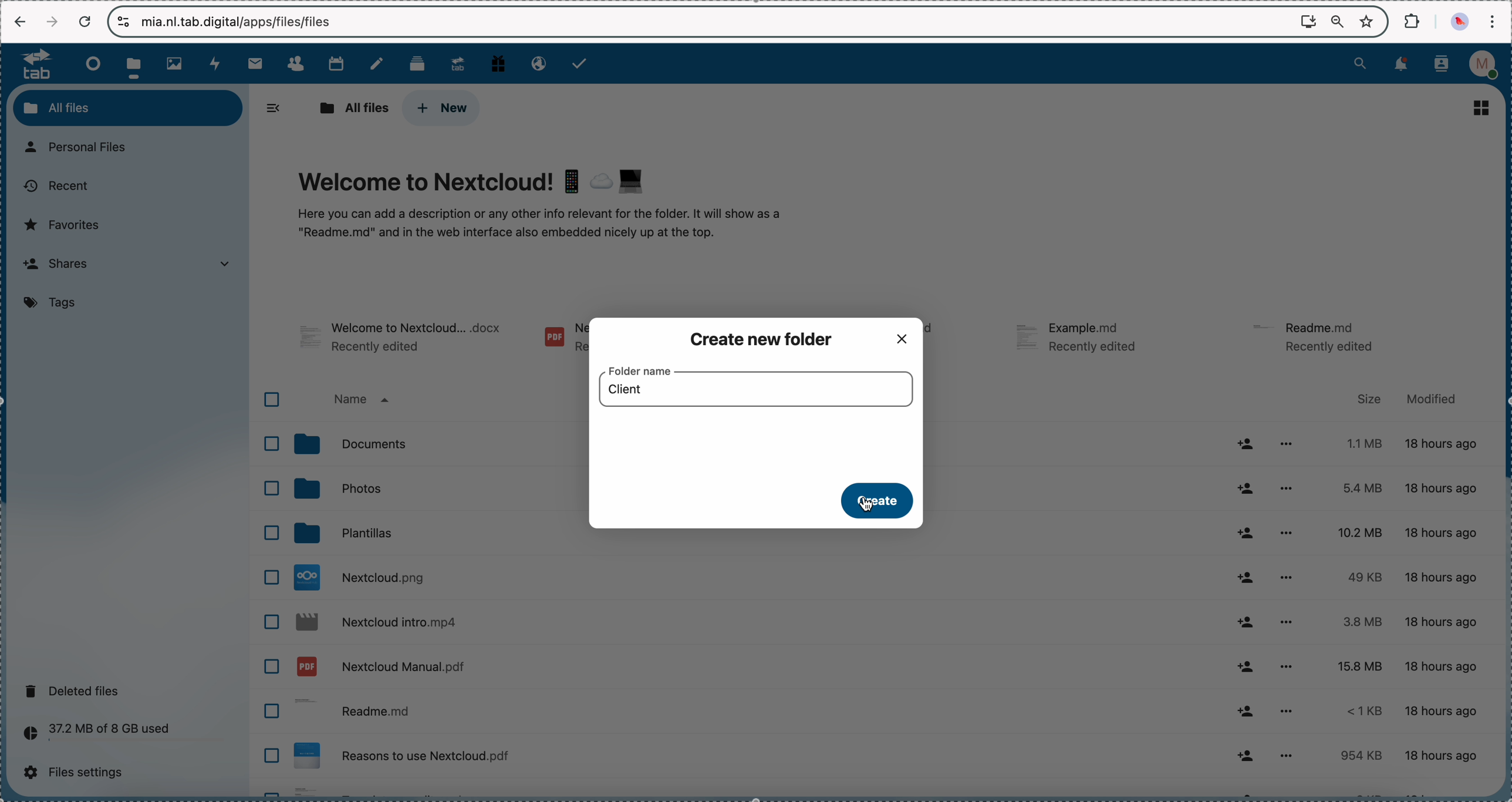  I want to click on controls, so click(124, 22).